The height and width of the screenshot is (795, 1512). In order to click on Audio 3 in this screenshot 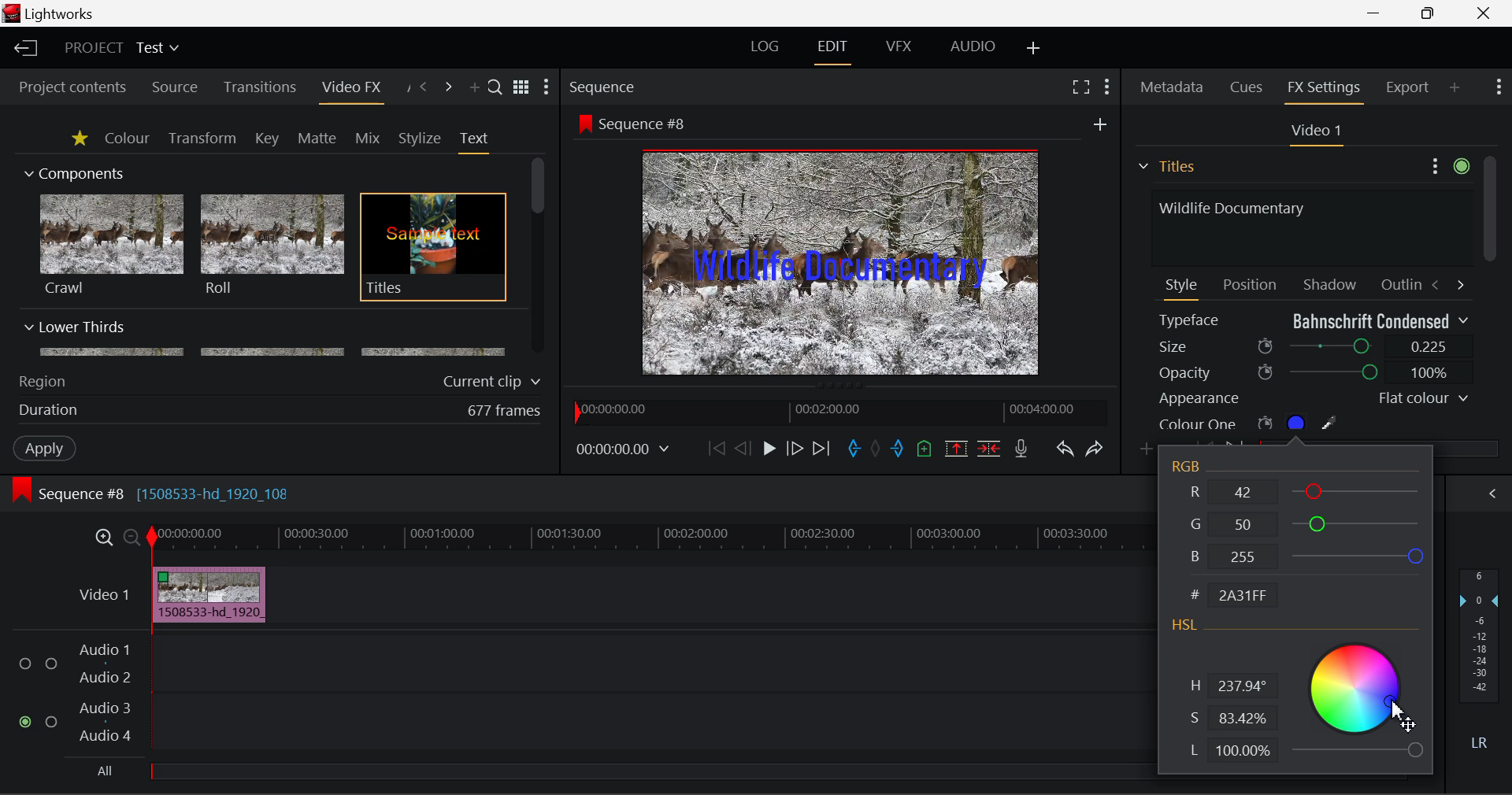, I will do `click(104, 707)`.